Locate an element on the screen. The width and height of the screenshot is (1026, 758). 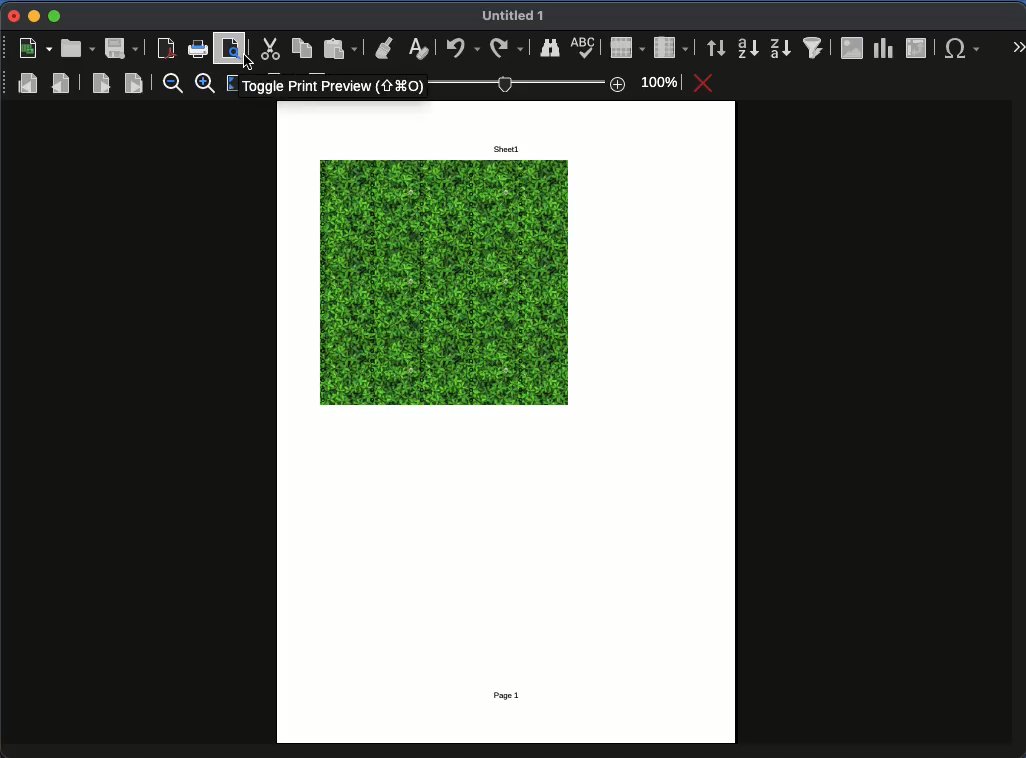
maximize is located at coordinates (56, 17).